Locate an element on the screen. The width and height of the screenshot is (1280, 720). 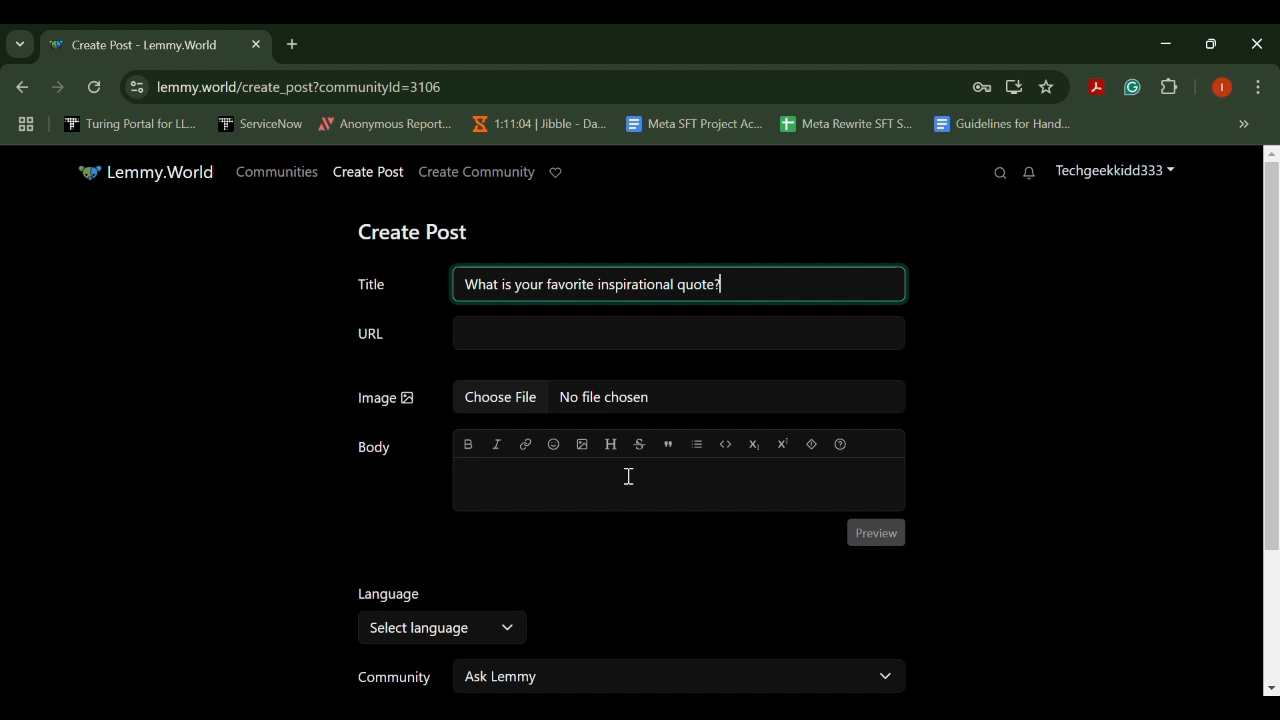
Options is located at coordinates (1258, 89).